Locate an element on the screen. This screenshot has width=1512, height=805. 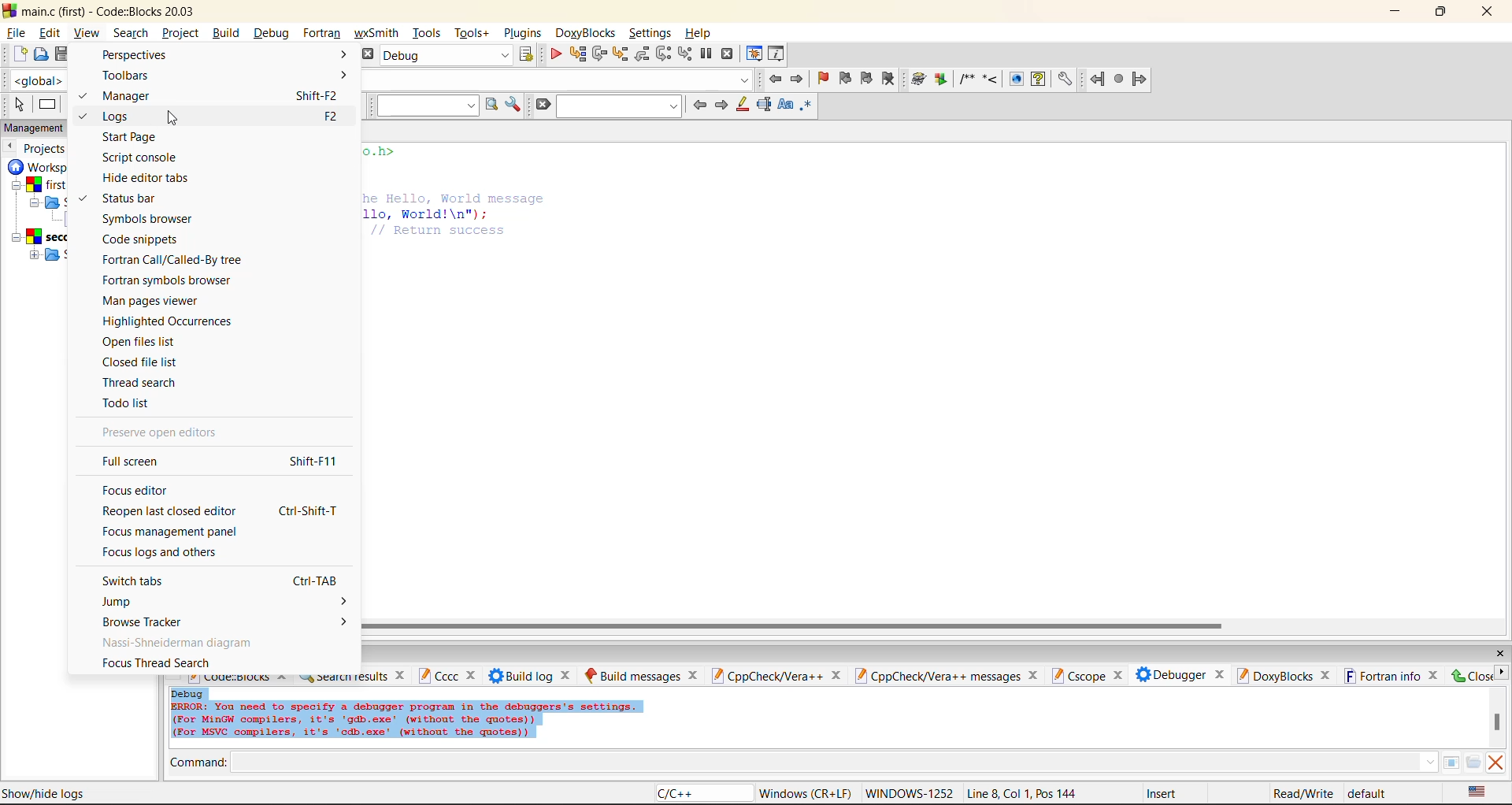
code completion compiler is located at coordinates (561, 82).